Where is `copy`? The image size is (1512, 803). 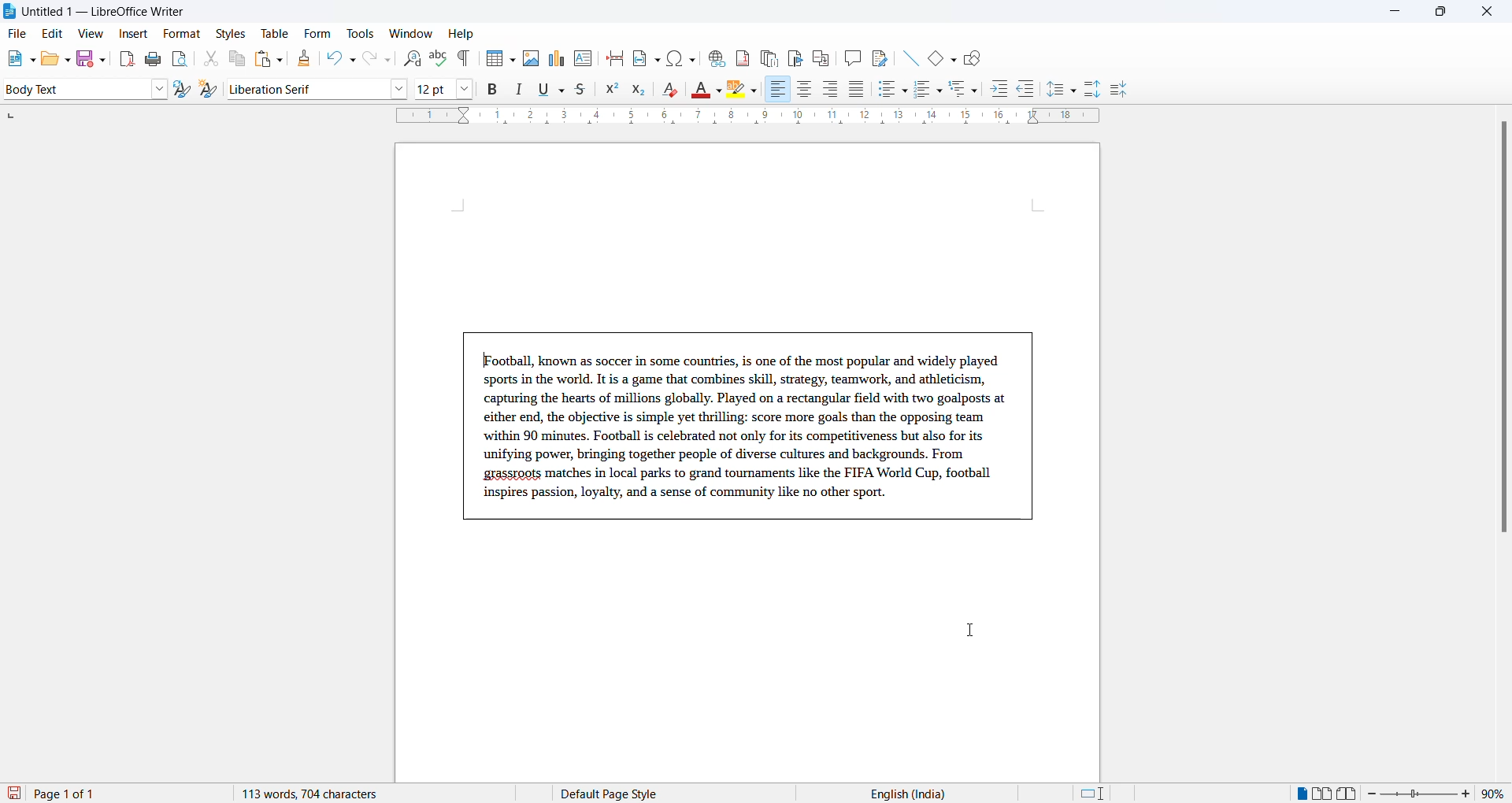
copy is located at coordinates (235, 58).